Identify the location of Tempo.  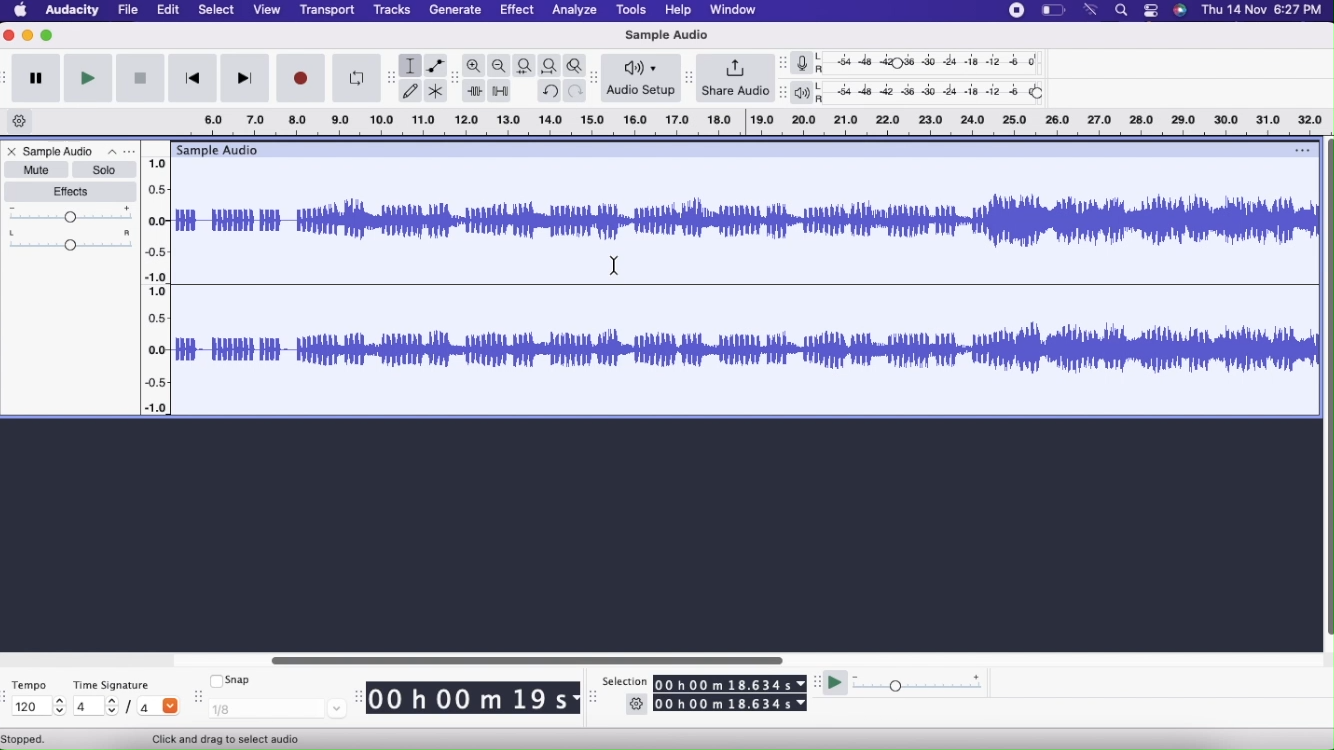
(31, 686).